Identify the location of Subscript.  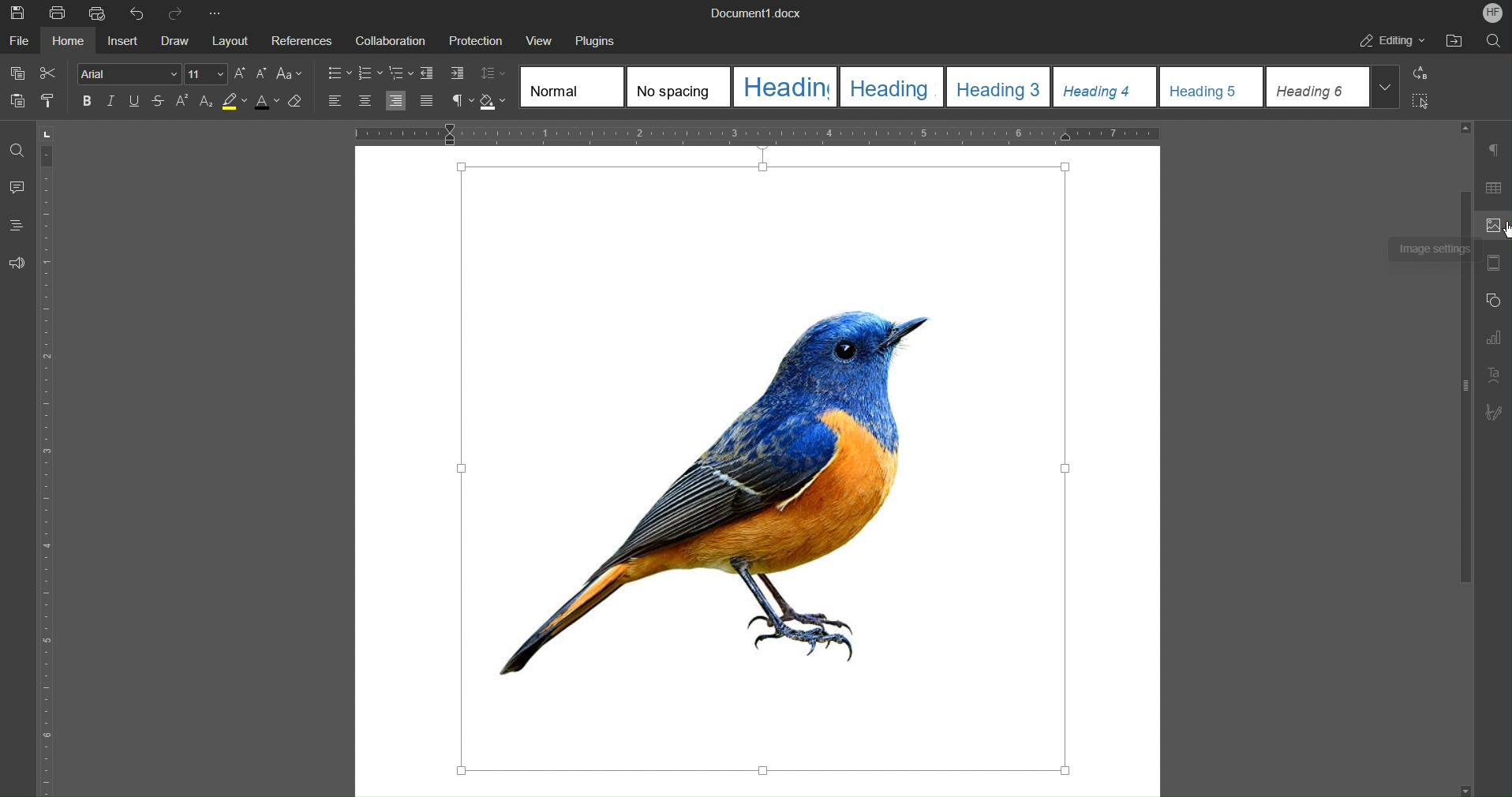
(205, 103).